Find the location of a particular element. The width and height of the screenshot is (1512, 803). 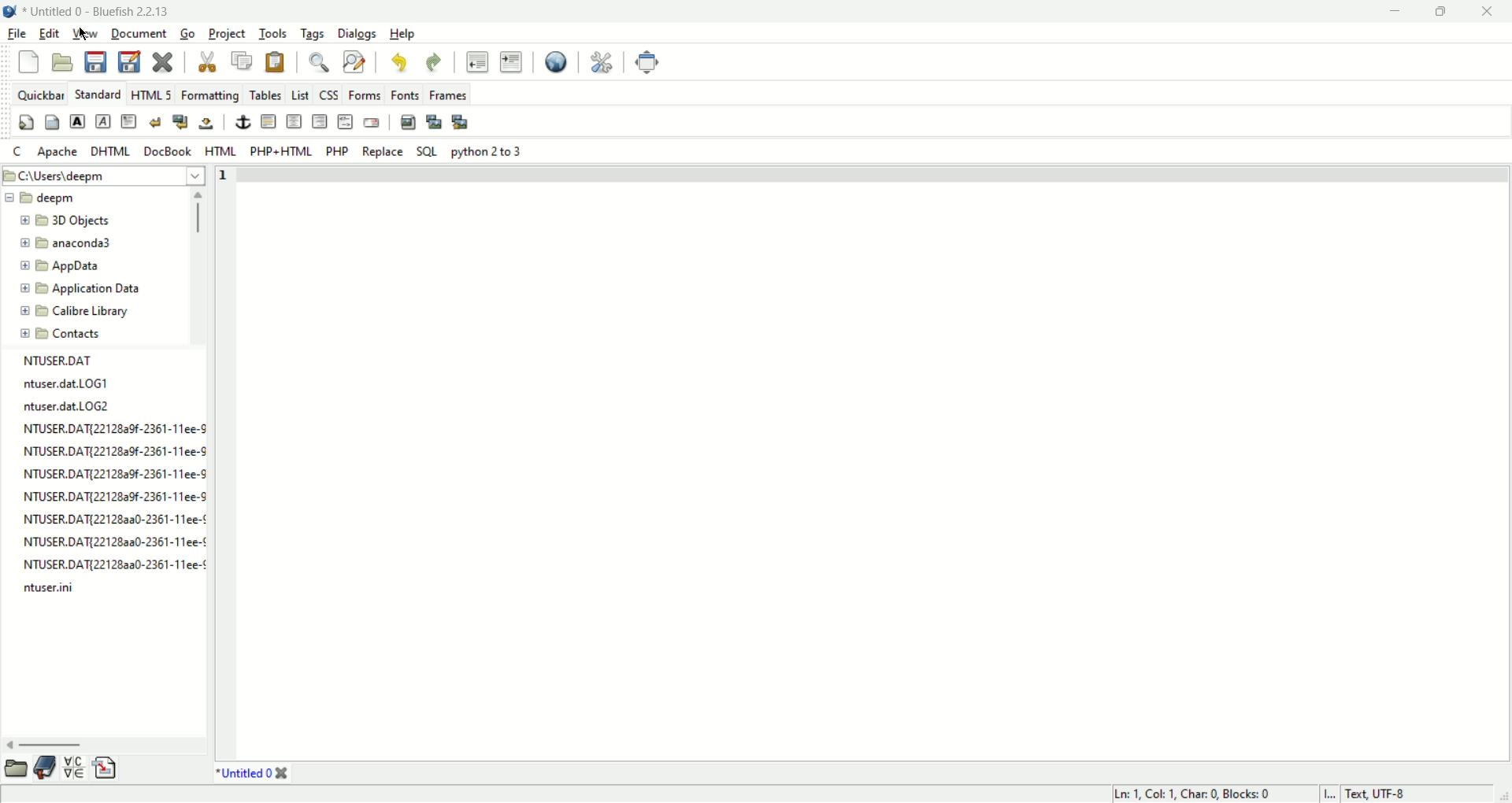

text, UTF-8 is located at coordinates (1386, 794).